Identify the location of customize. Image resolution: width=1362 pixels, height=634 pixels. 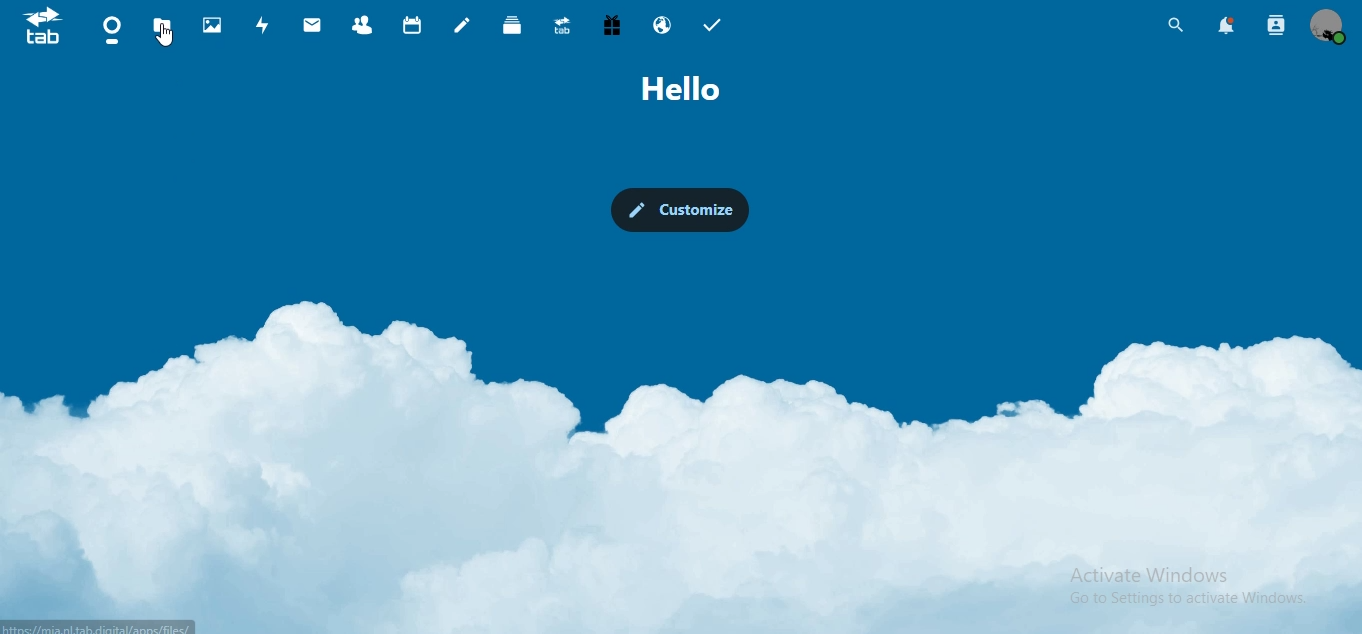
(683, 208).